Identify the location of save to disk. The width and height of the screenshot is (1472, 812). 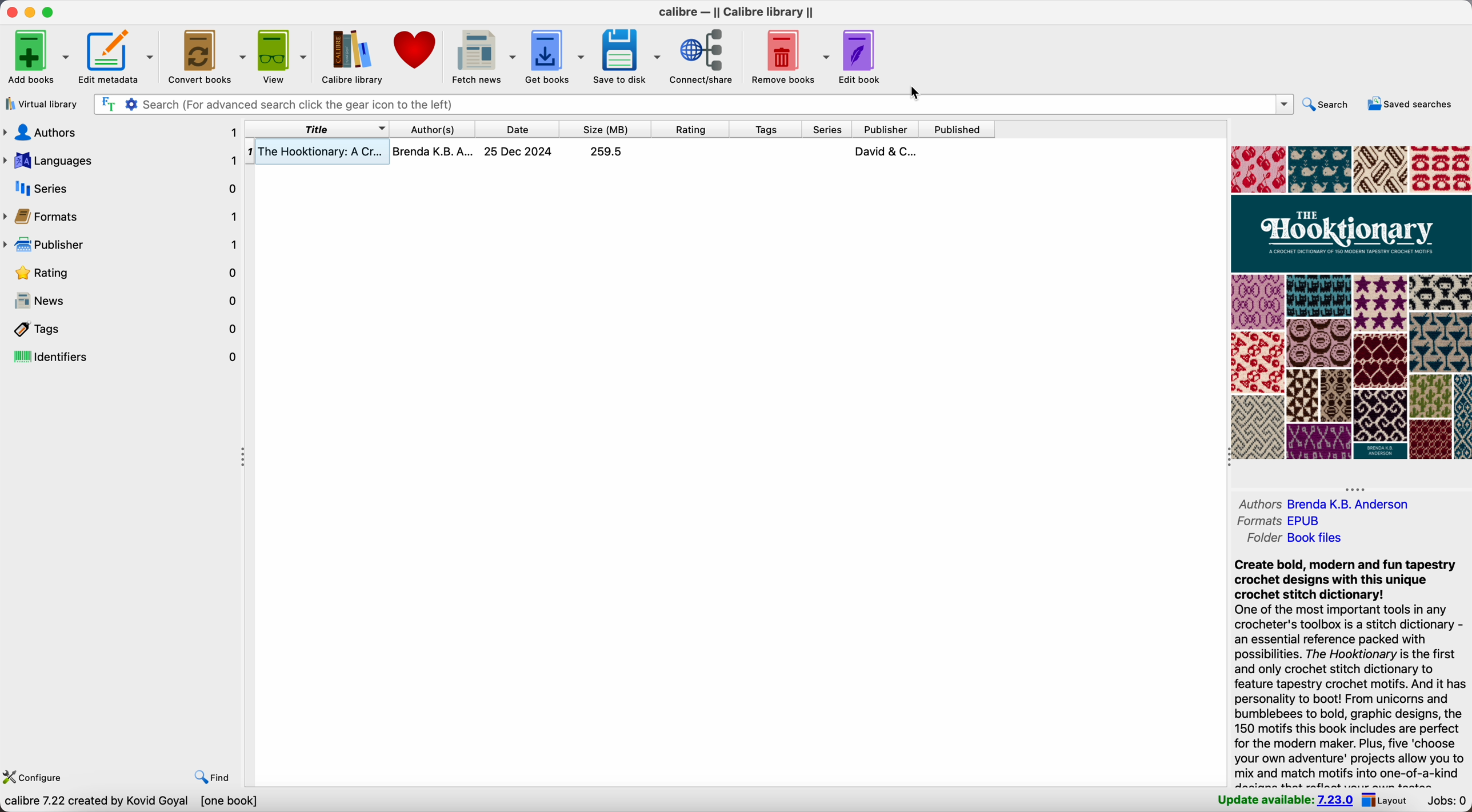
(627, 54).